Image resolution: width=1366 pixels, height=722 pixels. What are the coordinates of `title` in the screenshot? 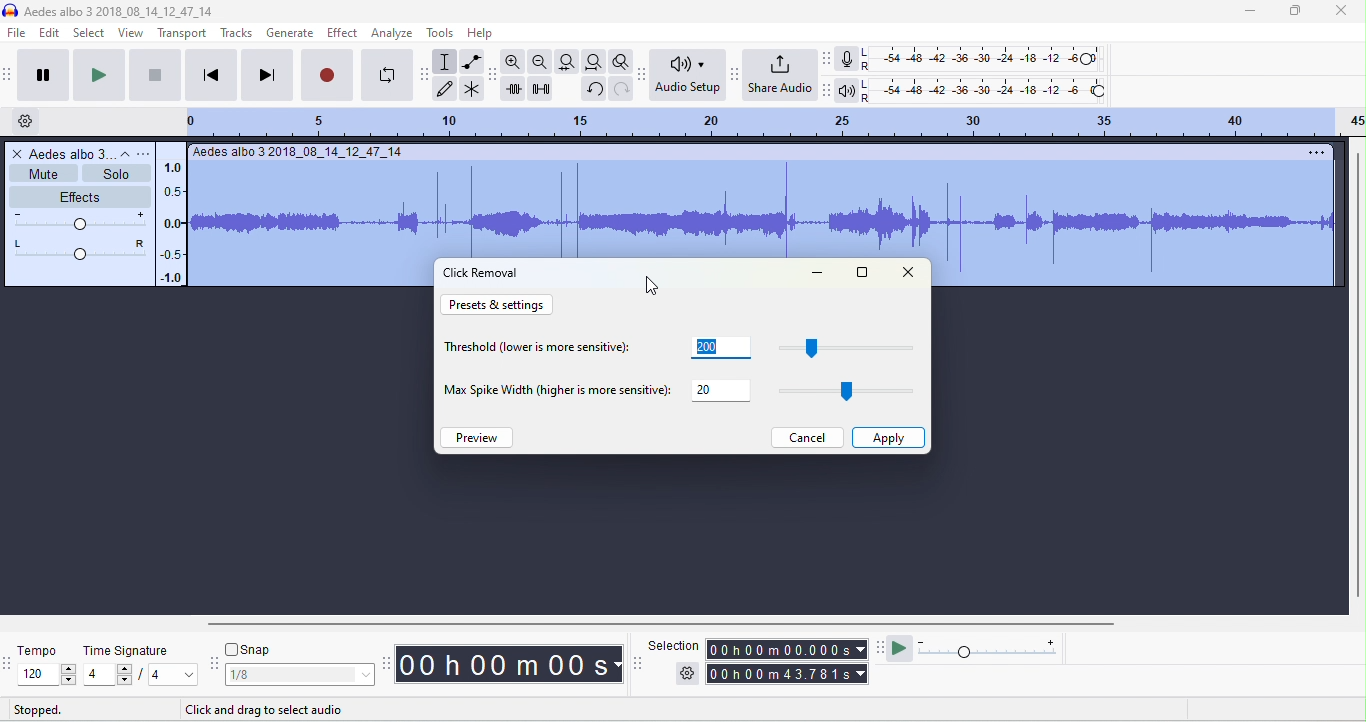 It's located at (119, 10).